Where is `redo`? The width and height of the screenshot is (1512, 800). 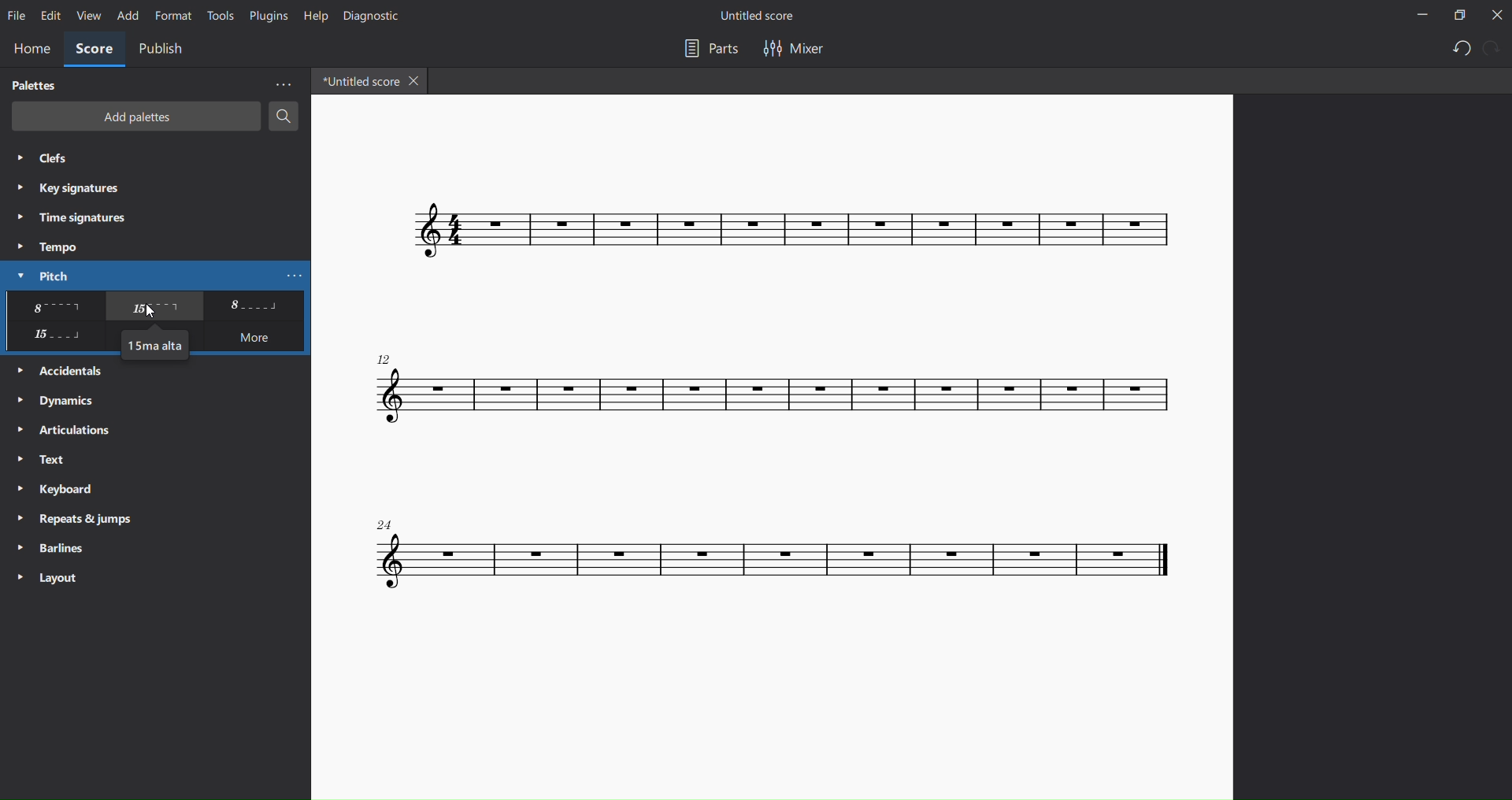
redo is located at coordinates (1494, 47).